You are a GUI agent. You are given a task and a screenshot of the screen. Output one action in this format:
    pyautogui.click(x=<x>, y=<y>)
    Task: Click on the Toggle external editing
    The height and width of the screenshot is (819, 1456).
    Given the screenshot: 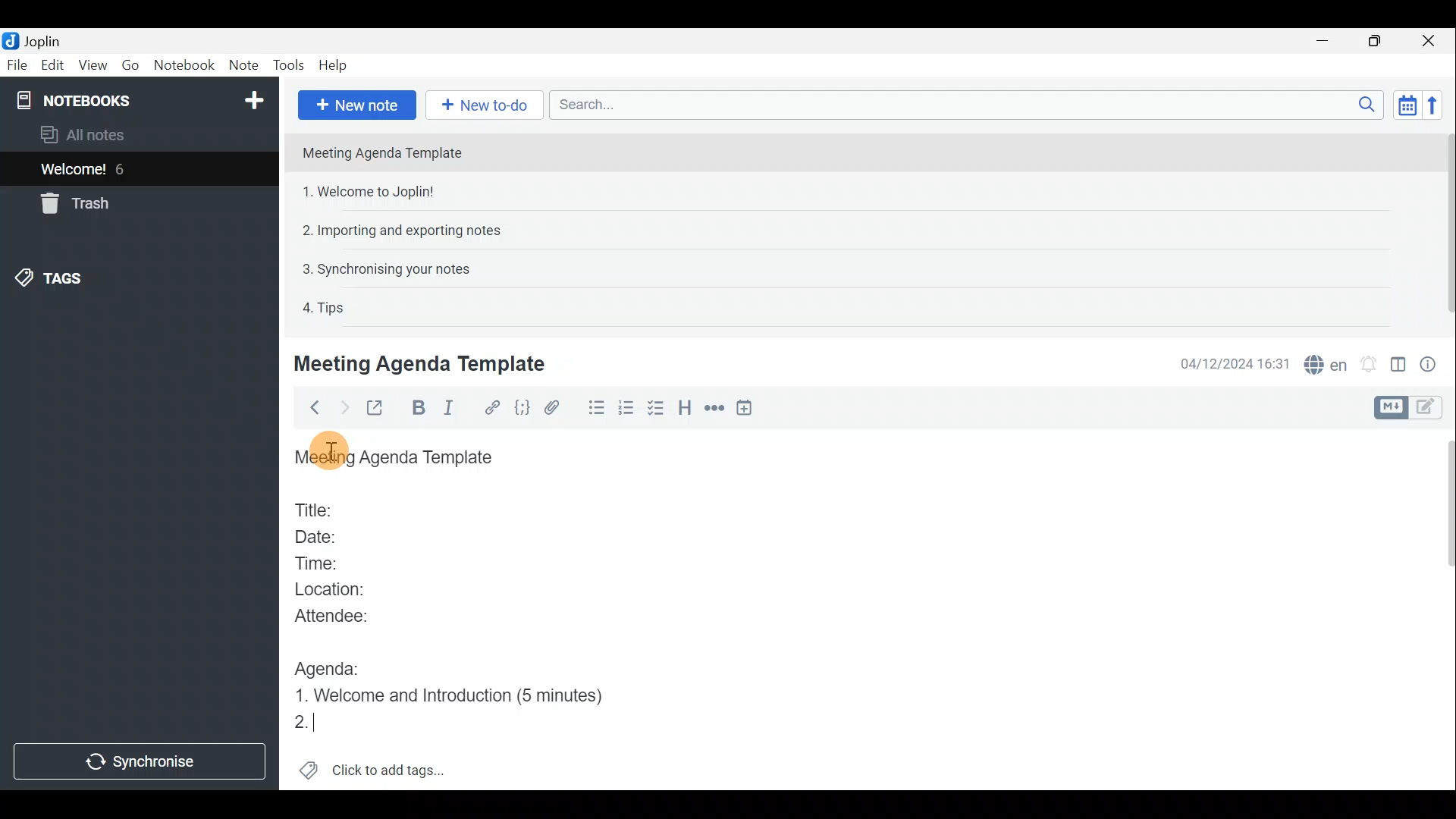 What is the action you would take?
    pyautogui.click(x=379, y=409)
    